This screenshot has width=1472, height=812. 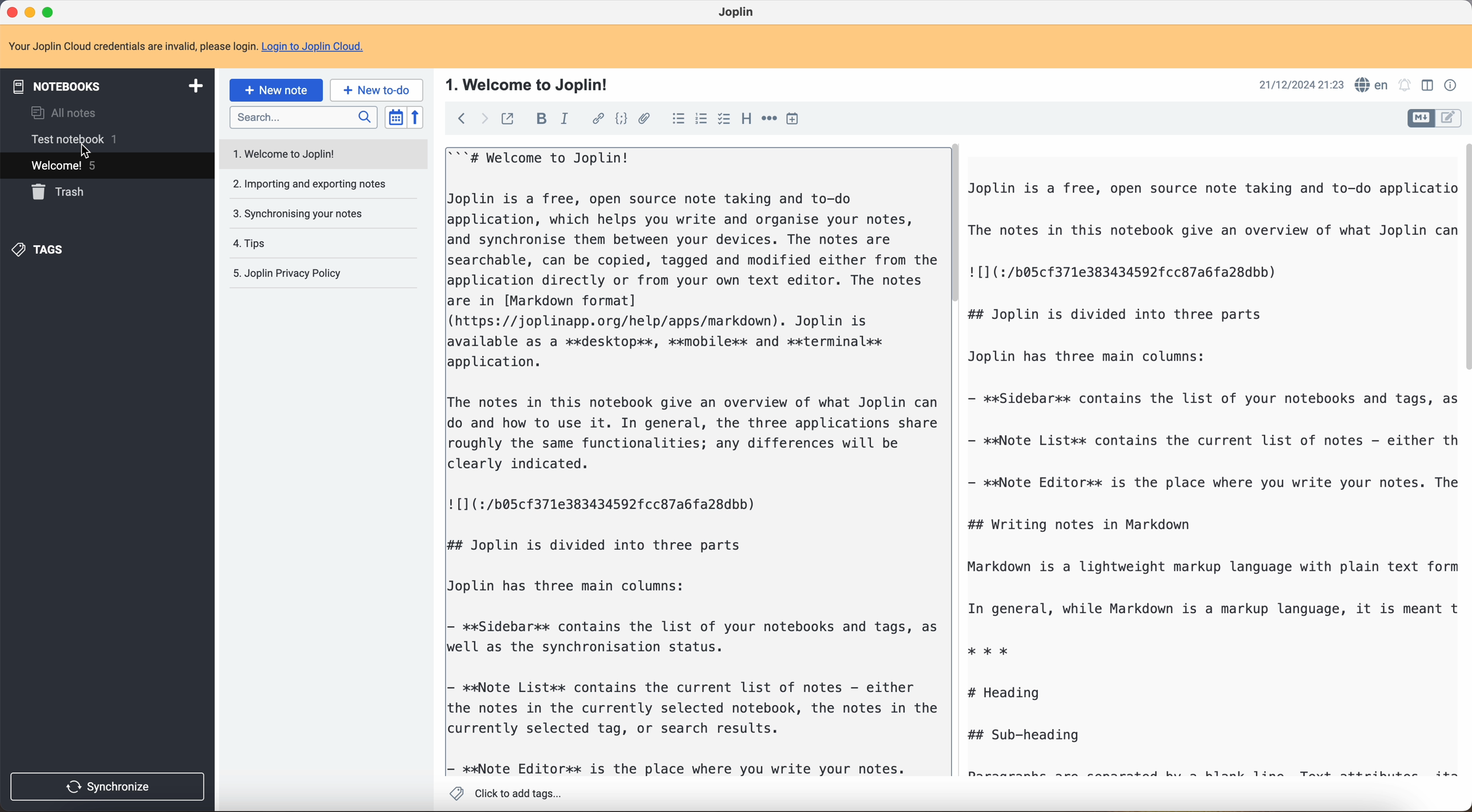 What do you see at coordinates (105, 166) in the screenshot?
I see `welcome` at bounding box center [105, 166].